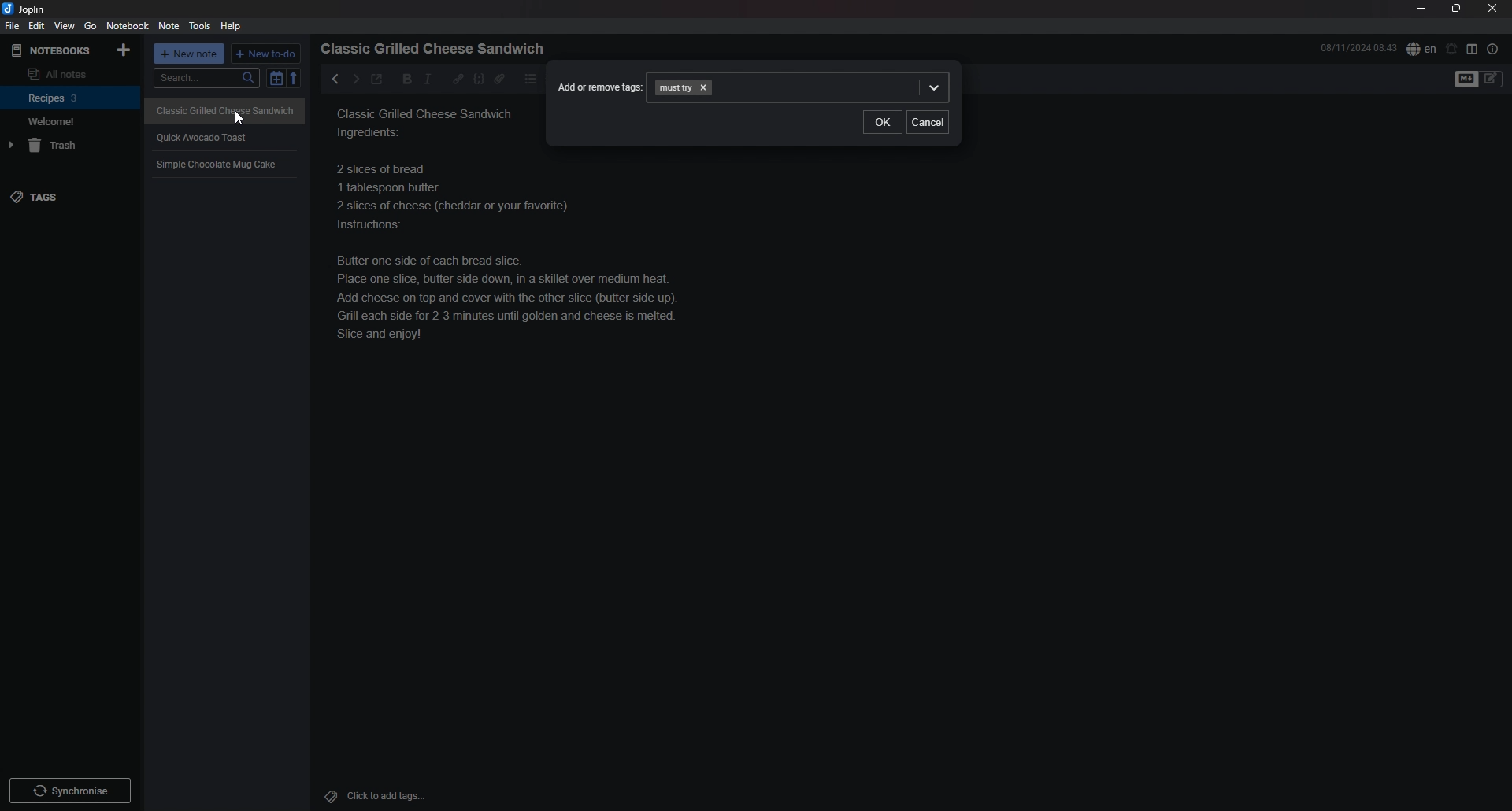 The height and width of the screenshot is (811, 1512). I want to click on heading, so click(437, 49).